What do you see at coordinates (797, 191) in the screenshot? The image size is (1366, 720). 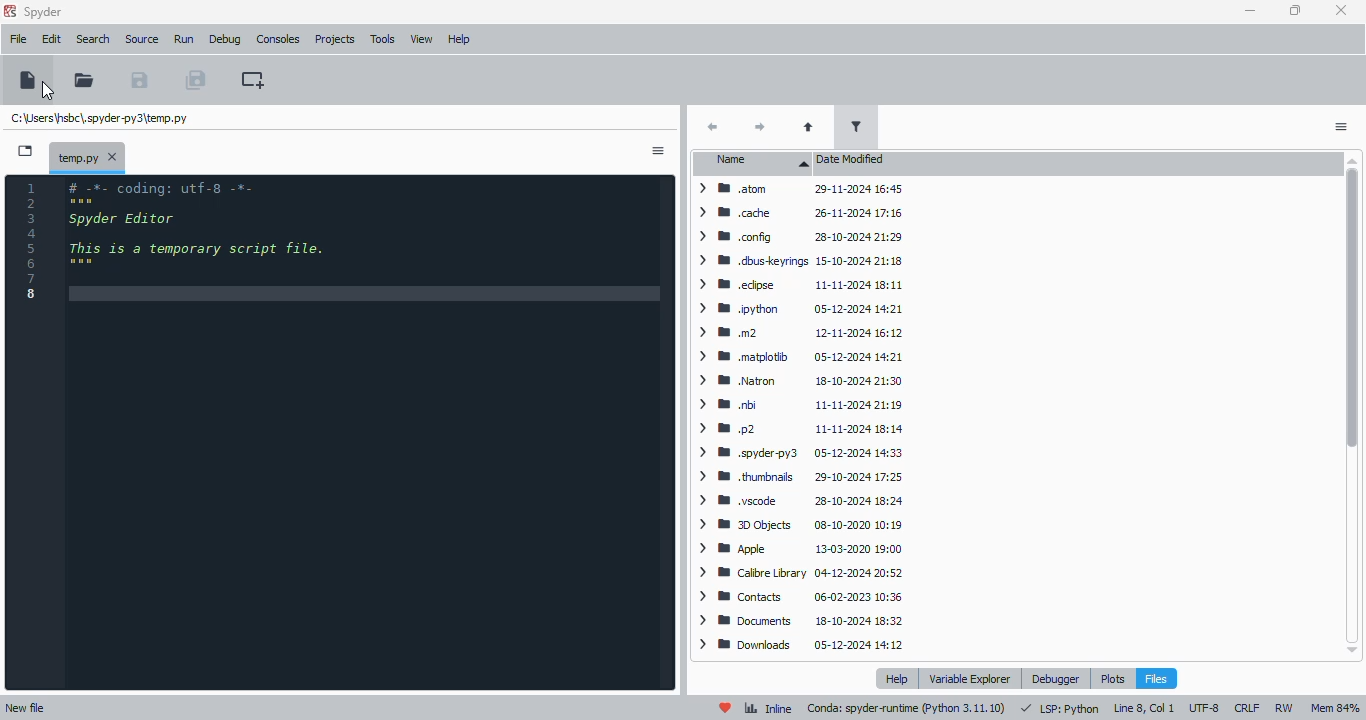 I see `> BW atom 29-11-2024 16:45` at bounding box center [797, 191].